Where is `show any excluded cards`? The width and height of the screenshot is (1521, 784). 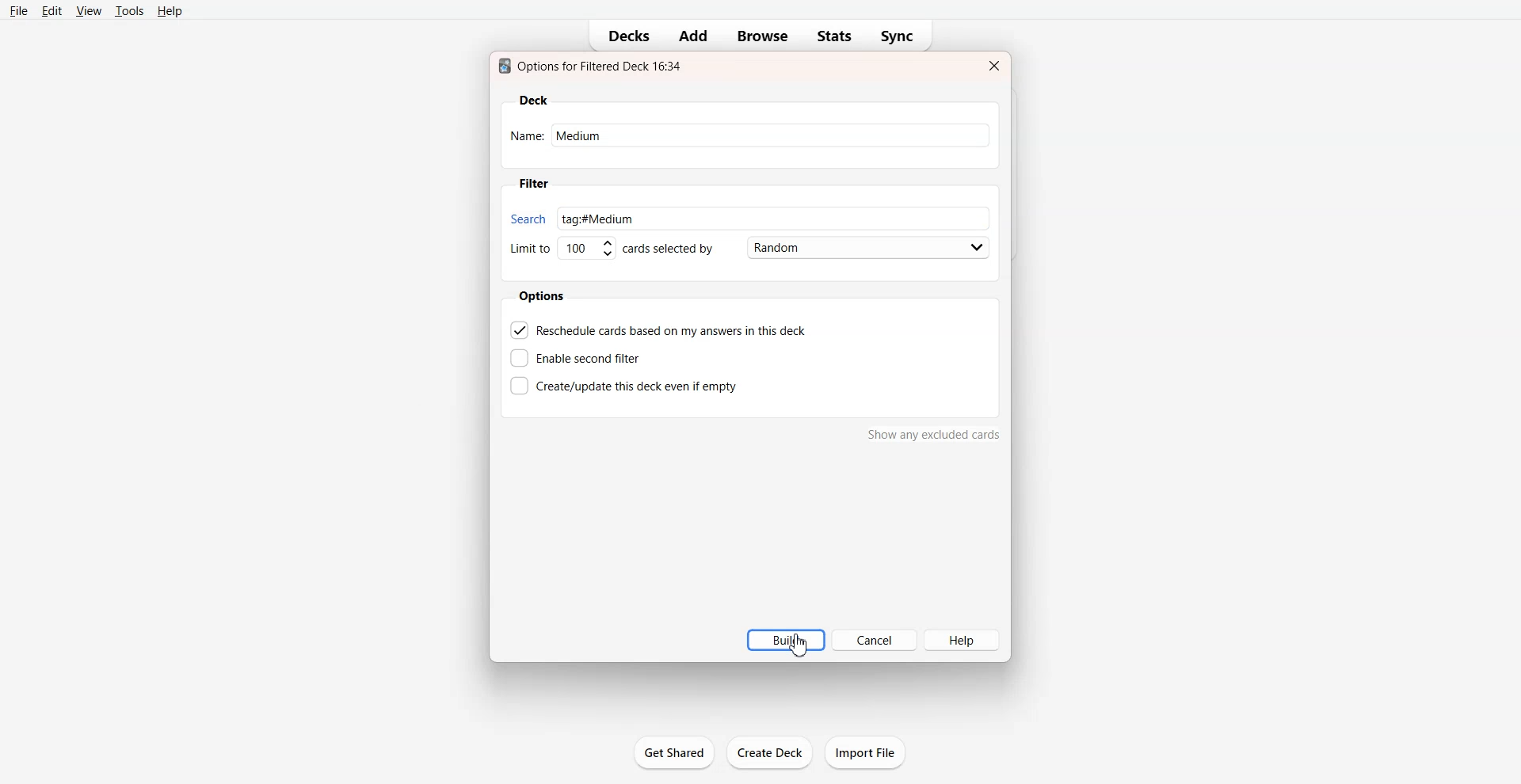
show any excluded cards is located at coordinates (934, 438).